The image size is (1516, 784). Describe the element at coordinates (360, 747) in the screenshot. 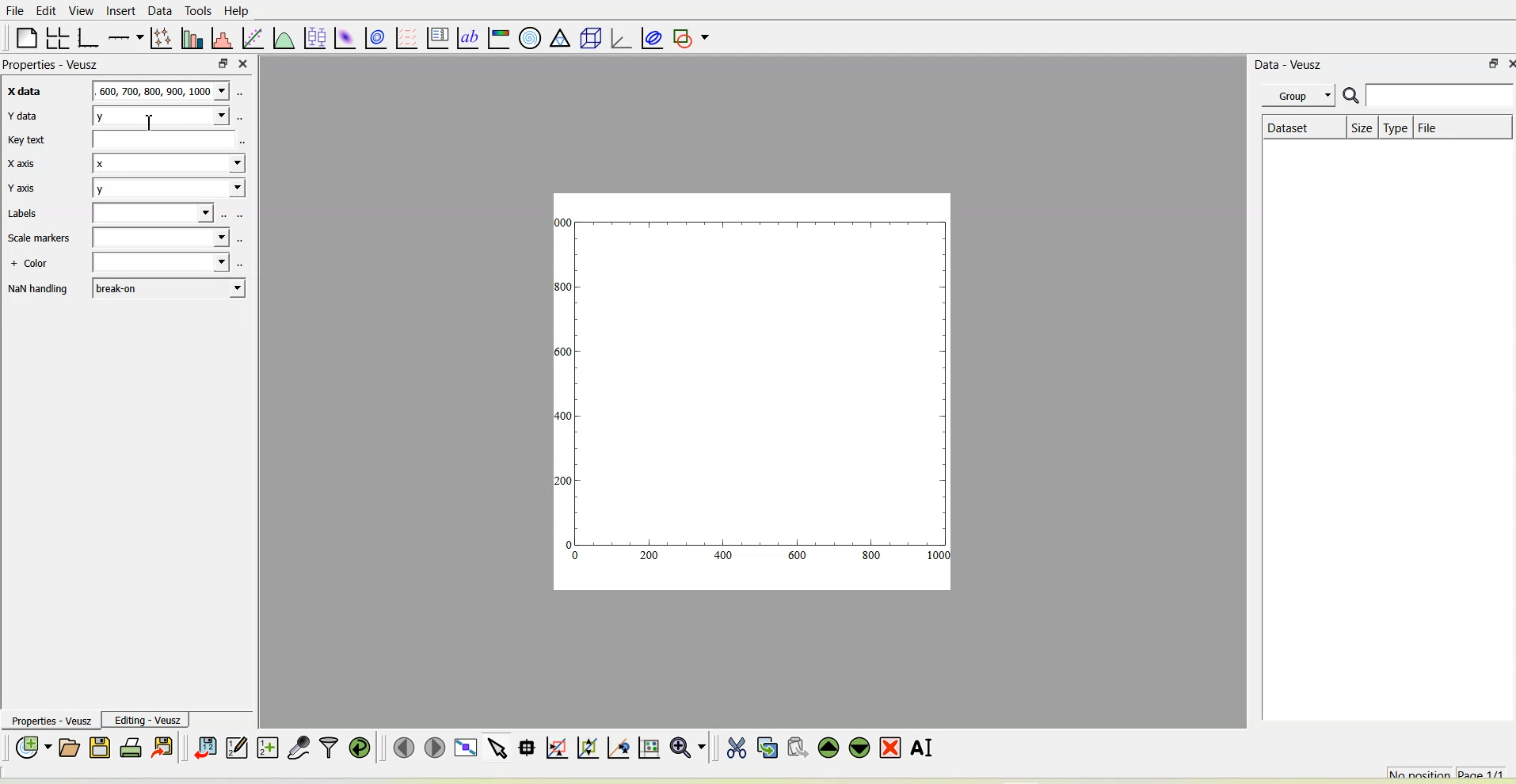

I see `Reload linked datasets` at that location.